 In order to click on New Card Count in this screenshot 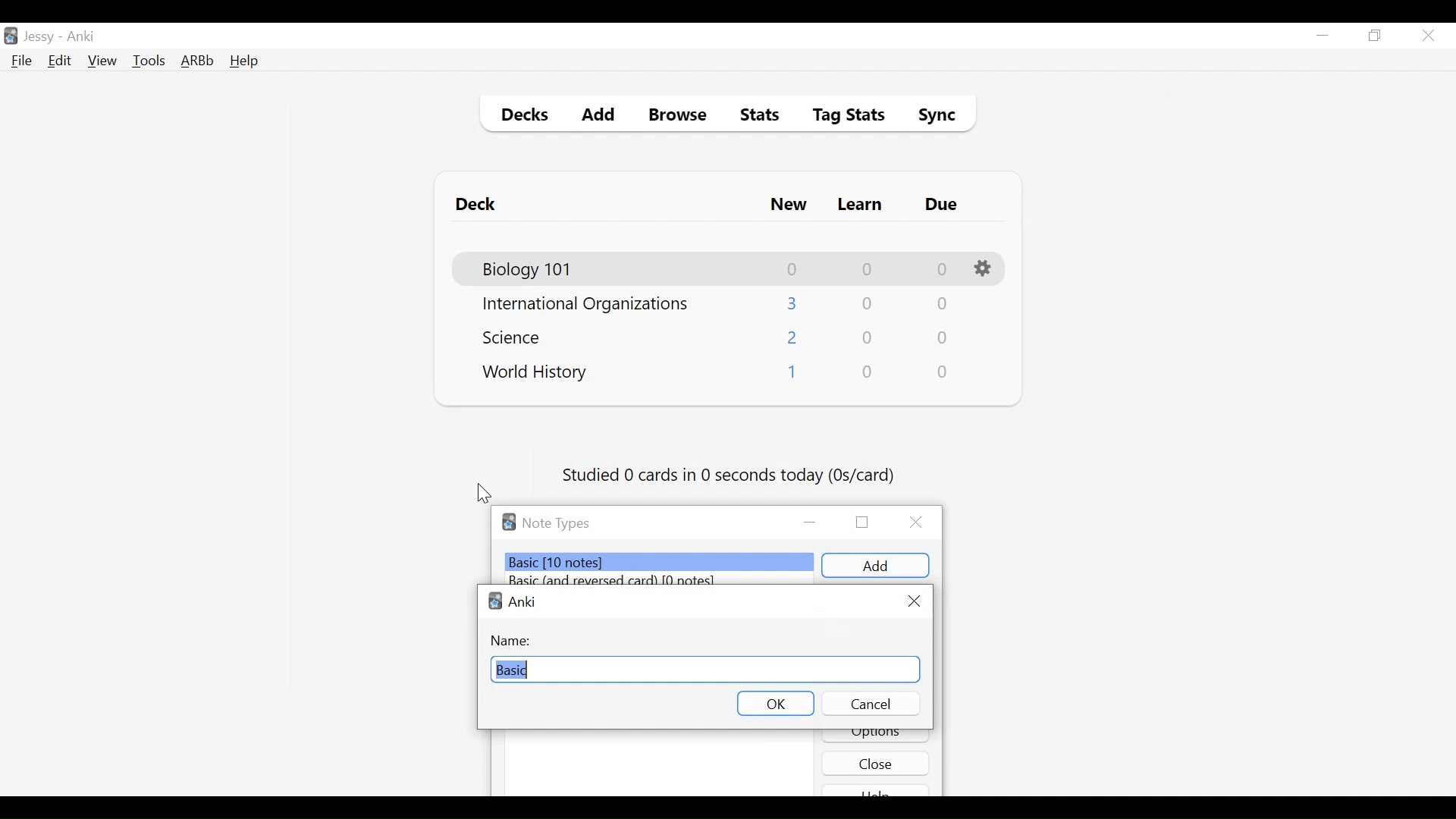, I will do `click(793, 339)`.